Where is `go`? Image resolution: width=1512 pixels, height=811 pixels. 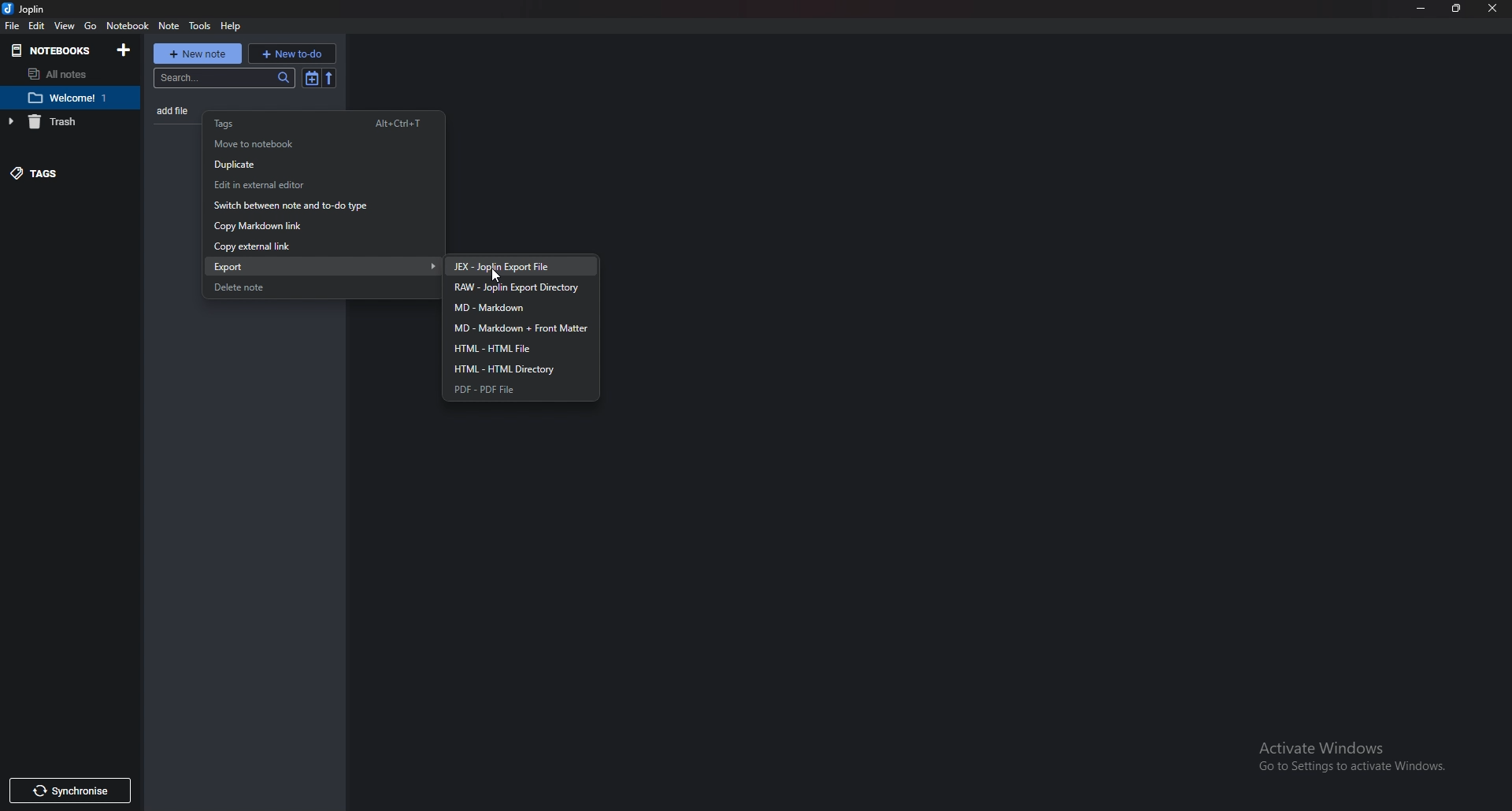
go is located at coordinates (90, 24).